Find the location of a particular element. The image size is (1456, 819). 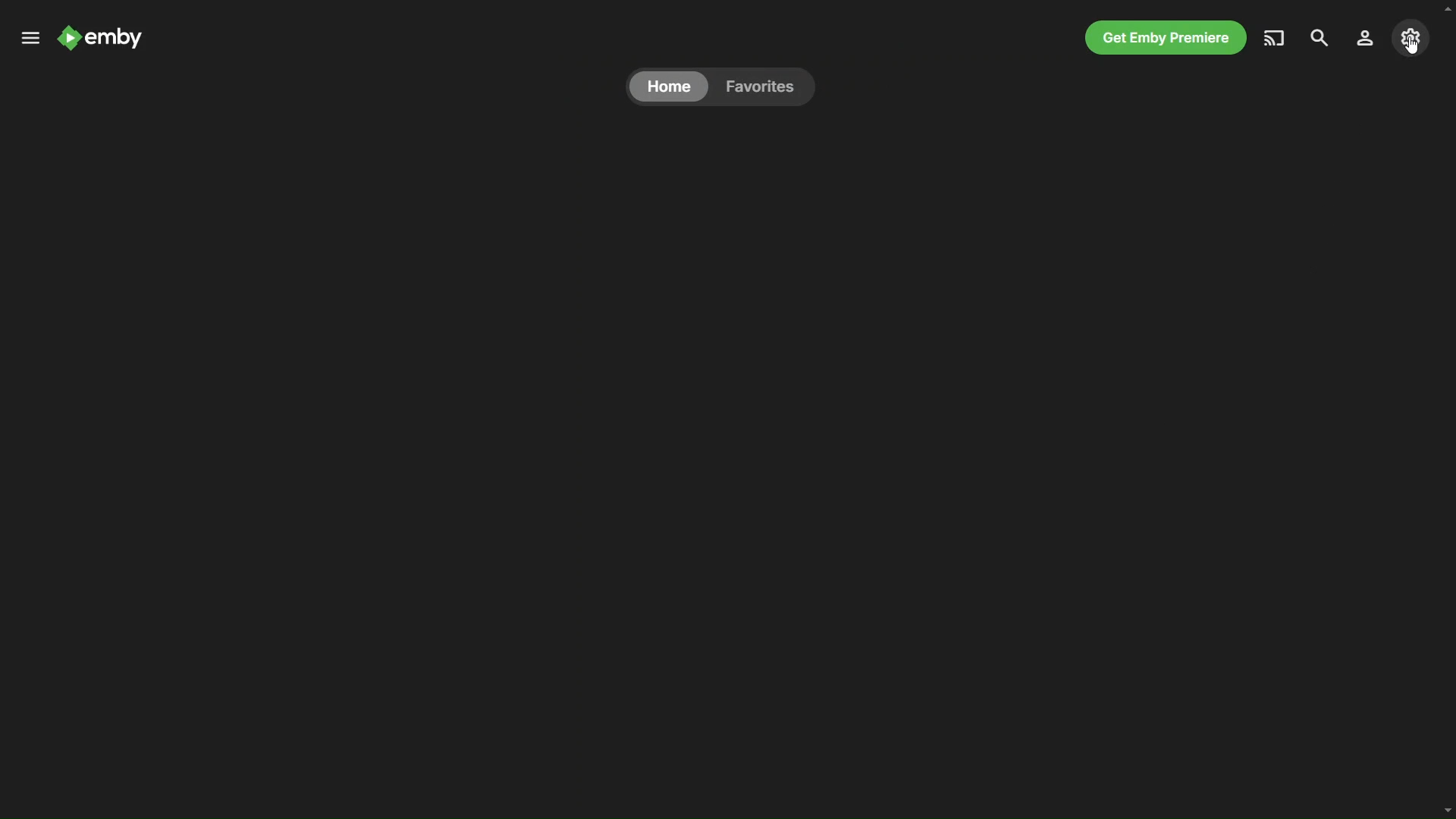

emby is located at coordinates (105, 42).